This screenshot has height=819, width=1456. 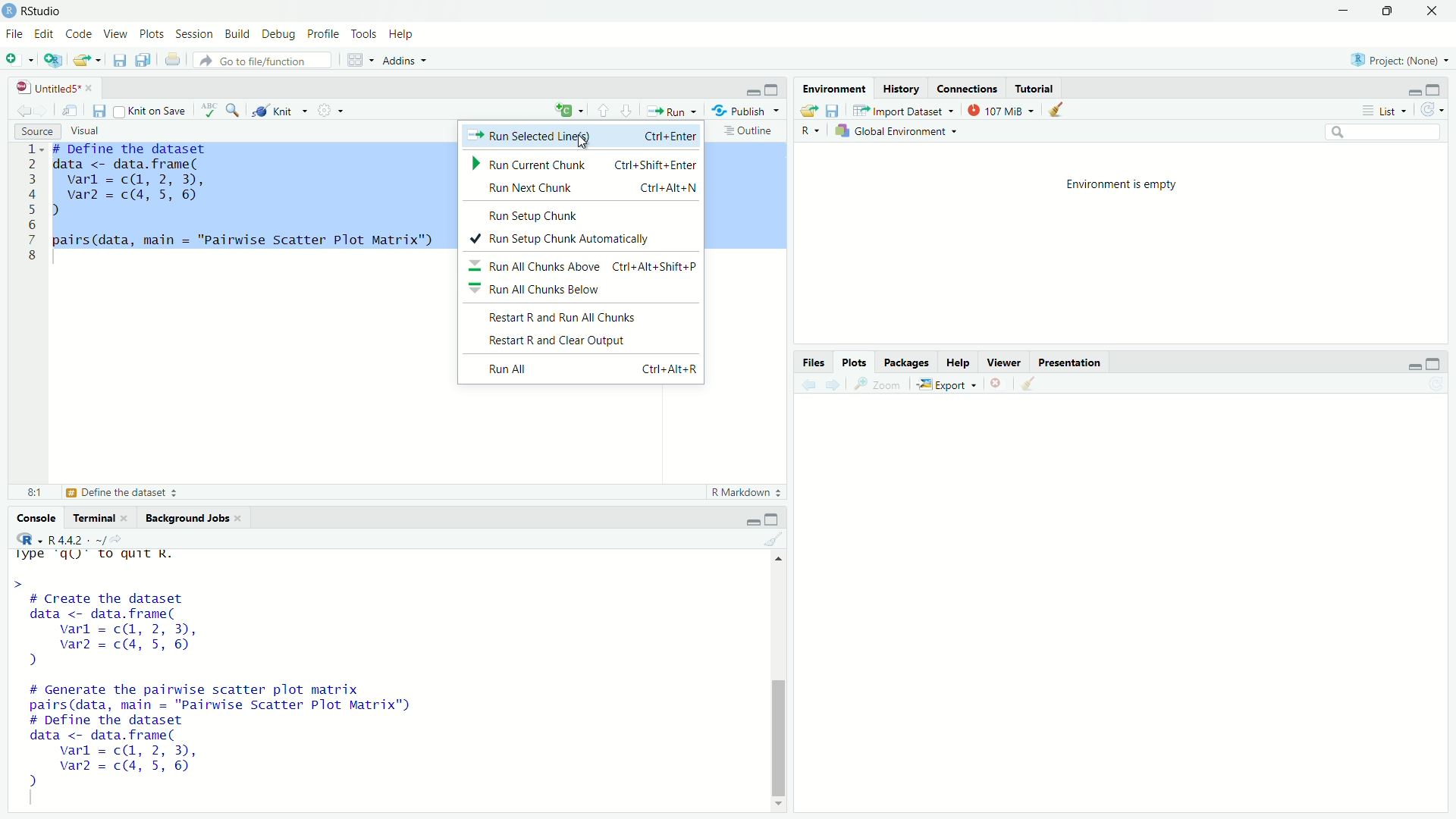 What do you see at coordinates (746, 493) in the screenshot?
I see `R Markdown` at bounding box center [746, 493].